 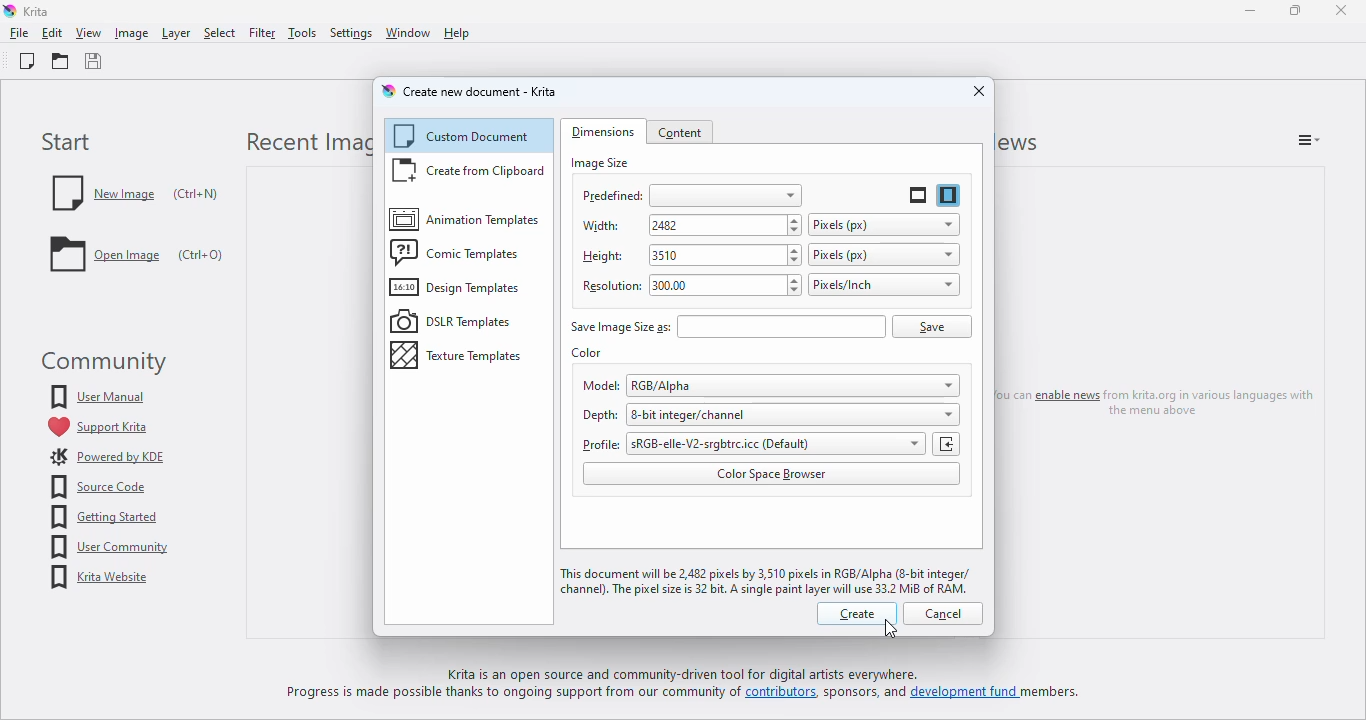 What do you see at coordinates (674, 254) in the screenshot?
I see `height: 3510` at bounding box center [674, 254].